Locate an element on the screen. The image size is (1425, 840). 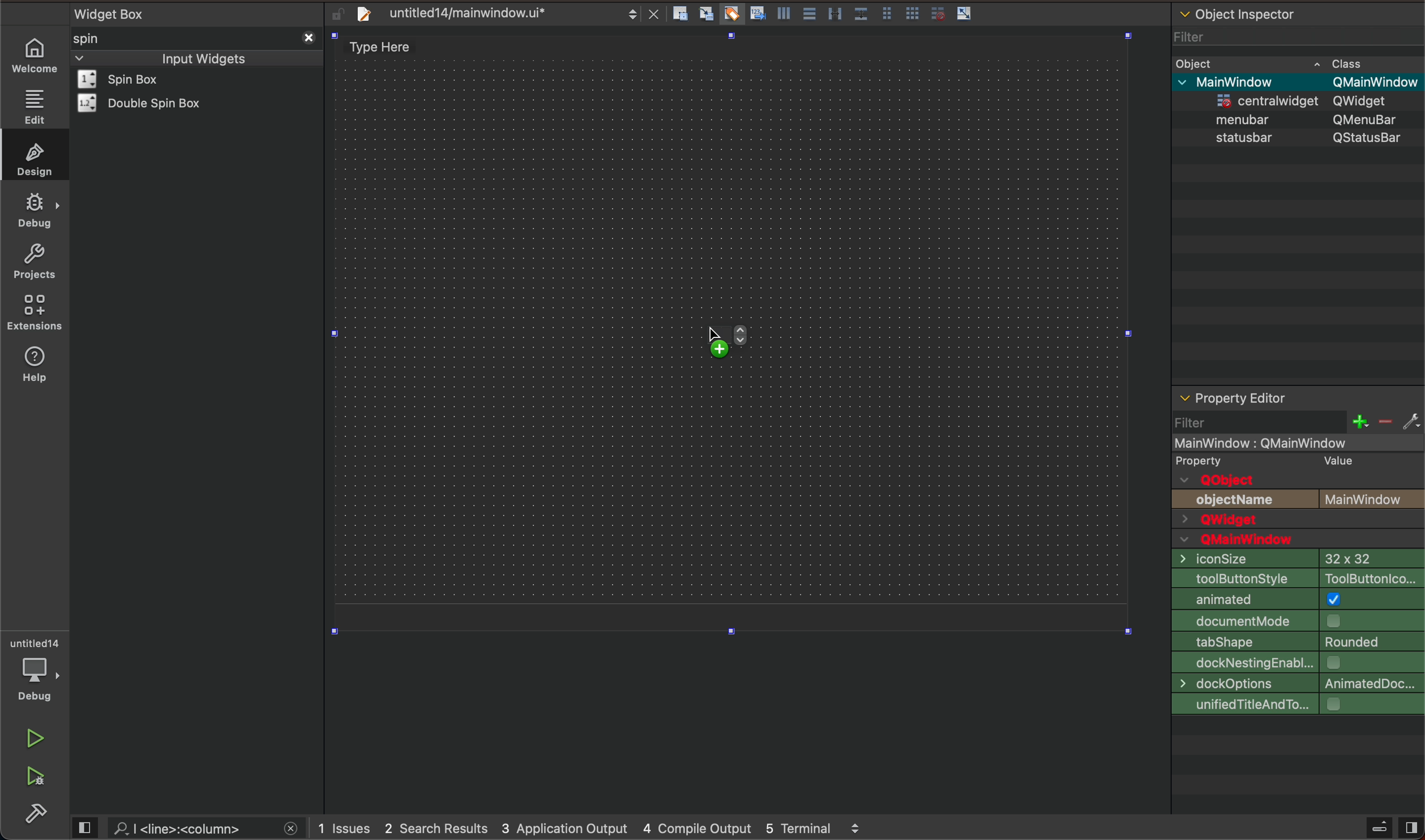
widget is located at coordinates (134, 79).